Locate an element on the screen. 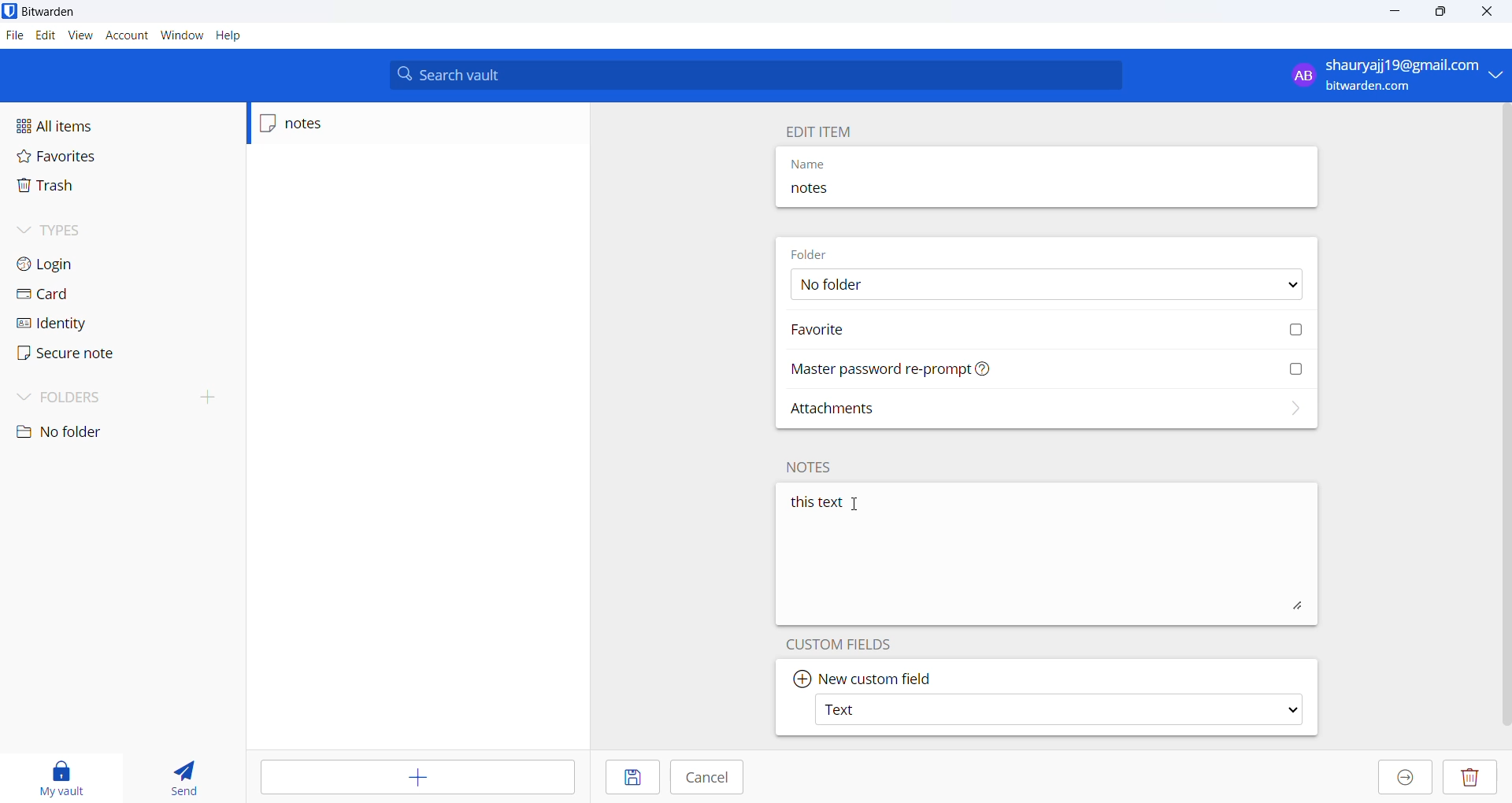  attachments is located at coordinates (1046, 413).